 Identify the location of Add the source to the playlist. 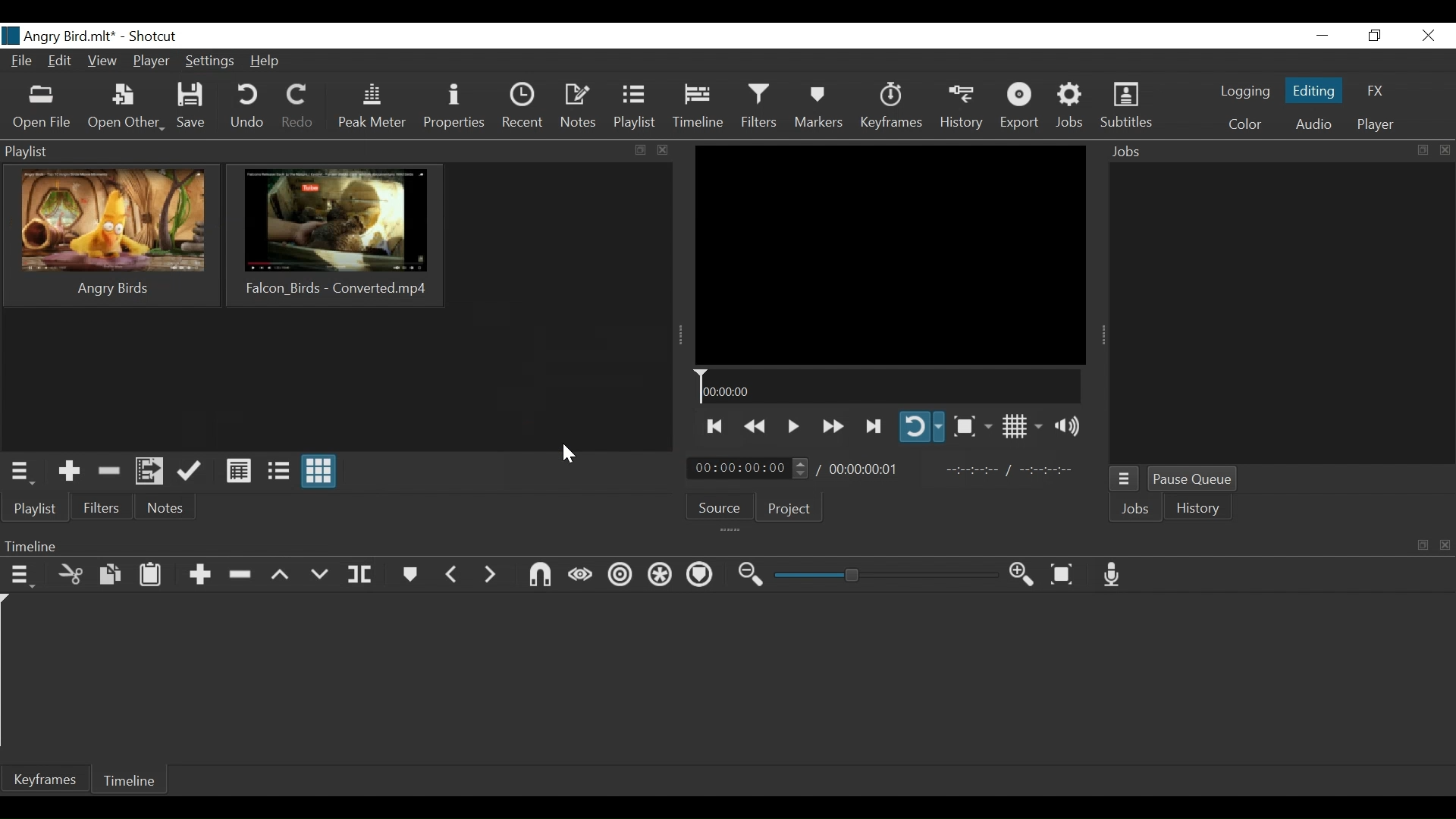
(69, 472).